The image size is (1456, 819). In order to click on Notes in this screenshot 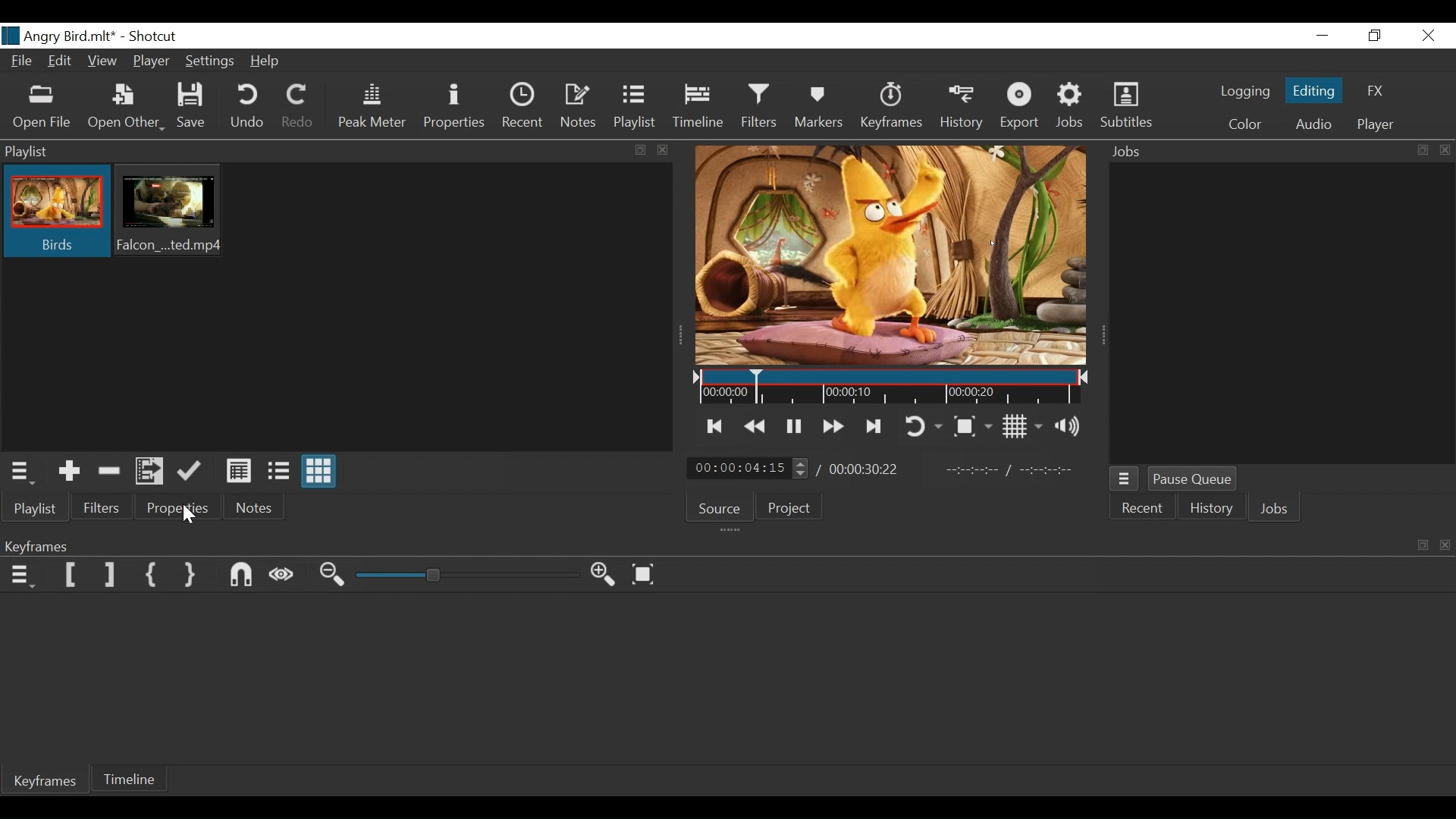, I will do `click(579, 107)`.